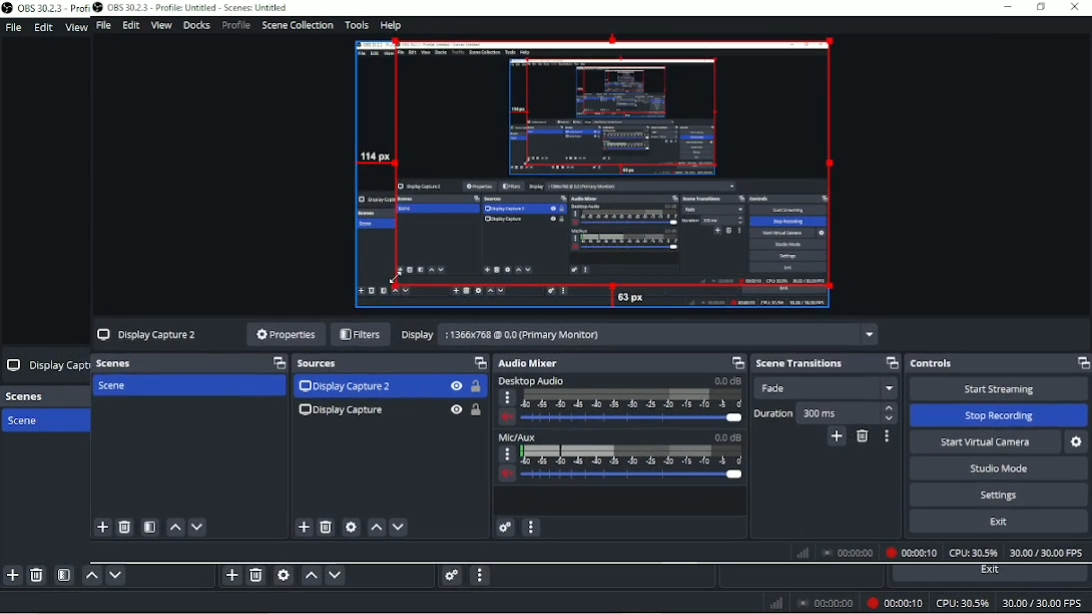 This screenshot has width=1092, height=614. Describe the element at coordinates (914, 551) in the screenshot. I see `00:00:10` at that location.